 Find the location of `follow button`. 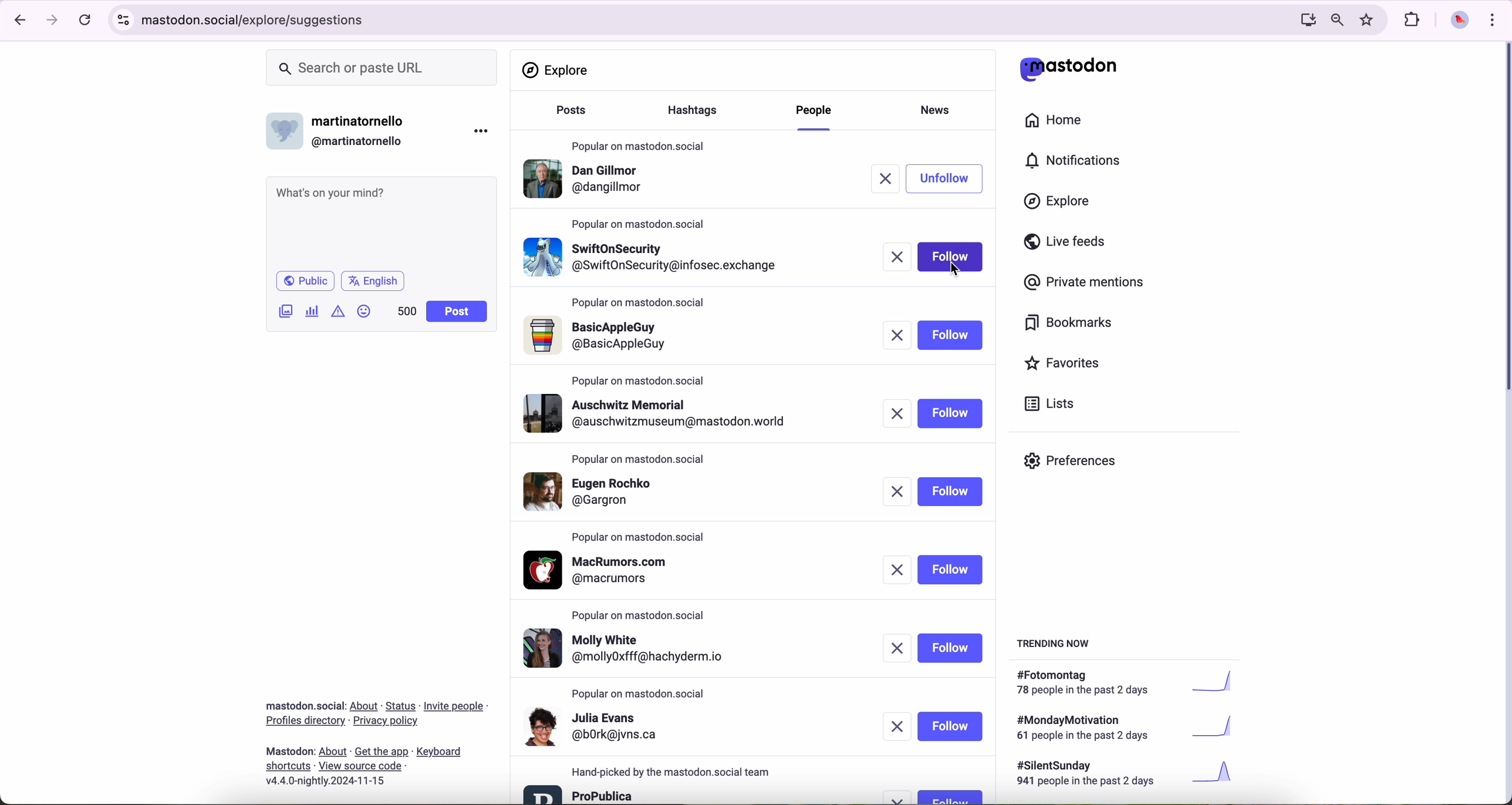

follow button is located at coordinates (950, 648).